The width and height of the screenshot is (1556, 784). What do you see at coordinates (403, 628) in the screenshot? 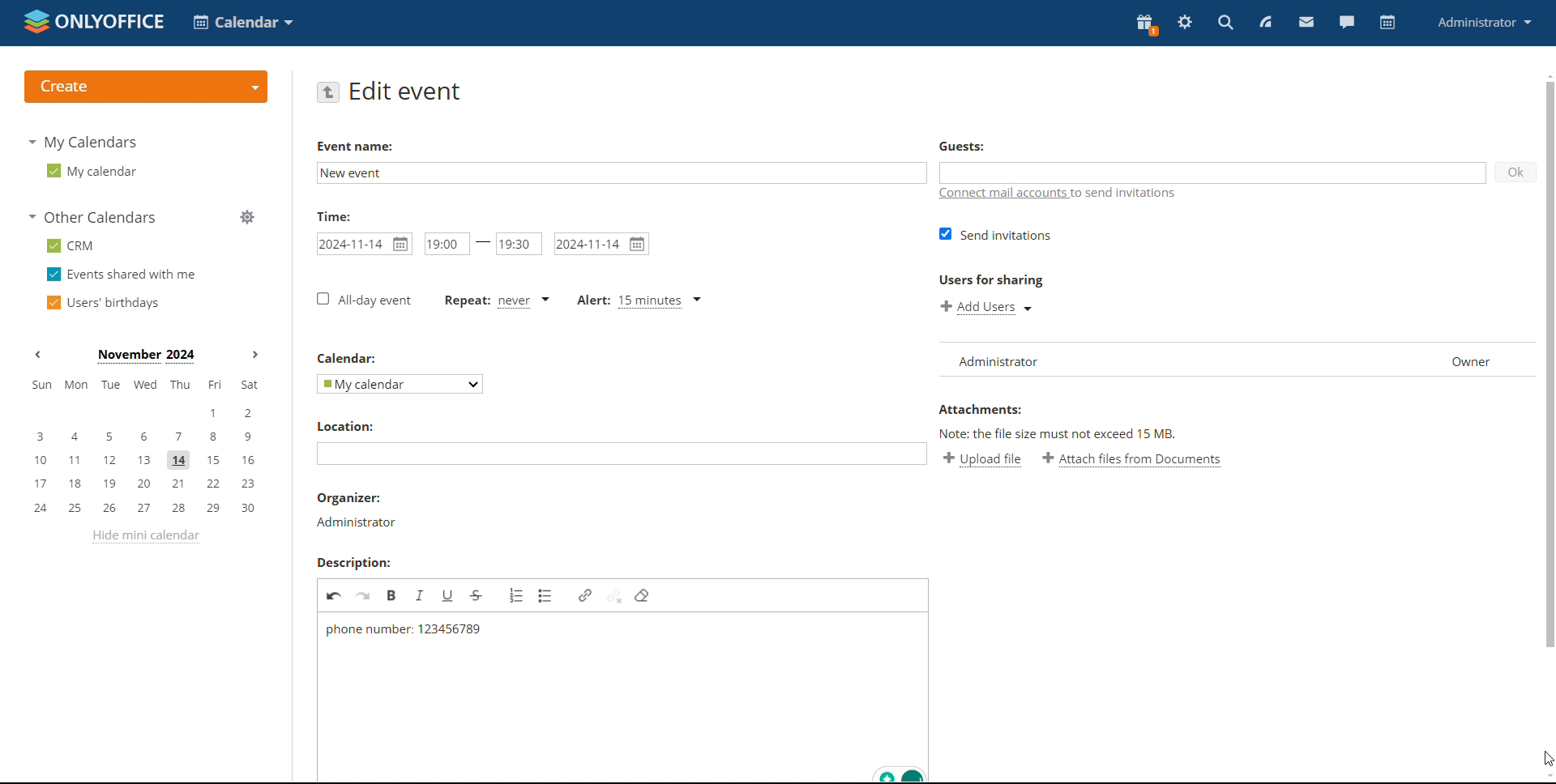
I see `phone number added` at bounding box center [403, 628].